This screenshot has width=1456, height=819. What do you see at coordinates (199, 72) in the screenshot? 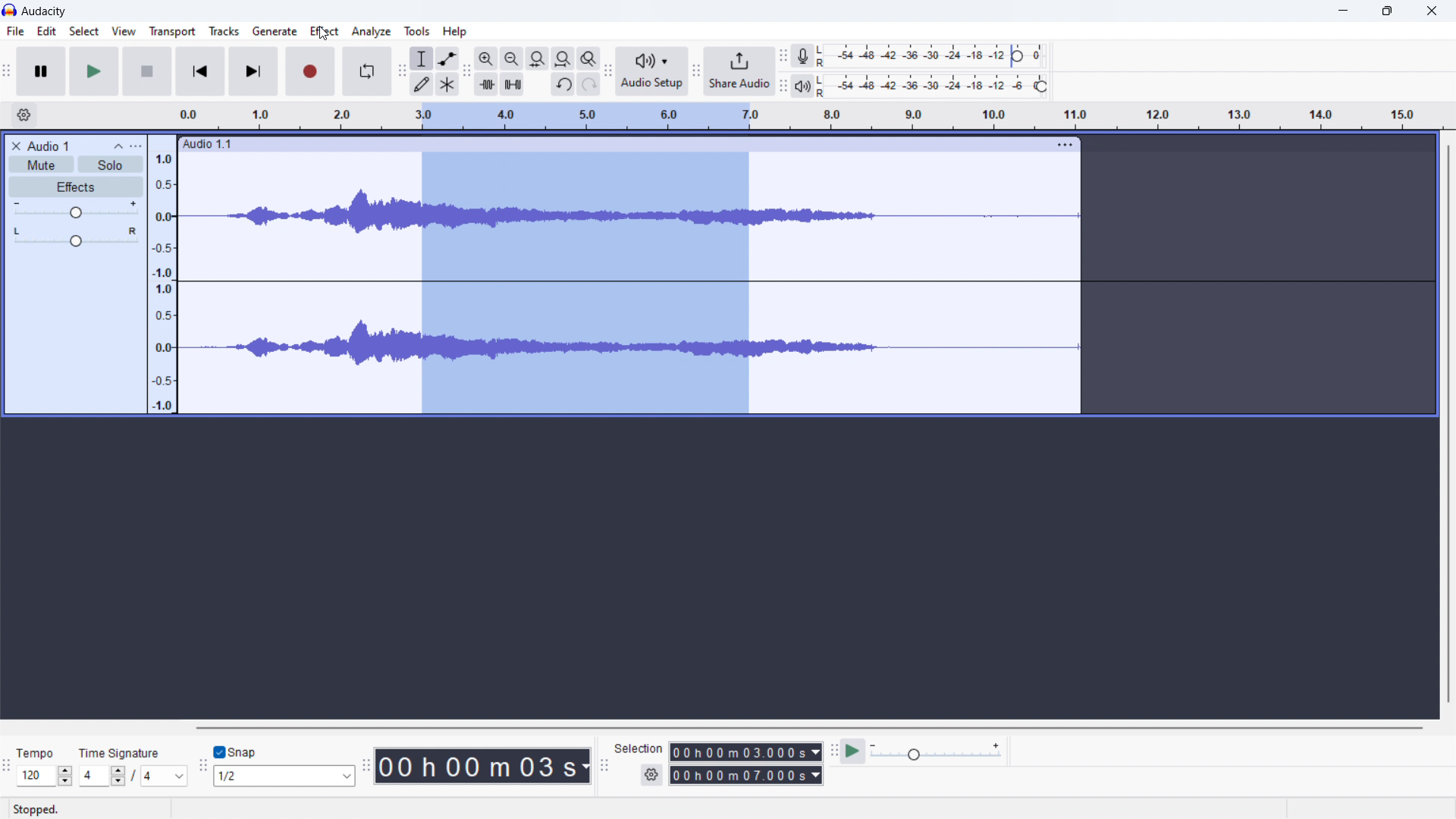
I see `skip to start` at bounding box center [199, 72].